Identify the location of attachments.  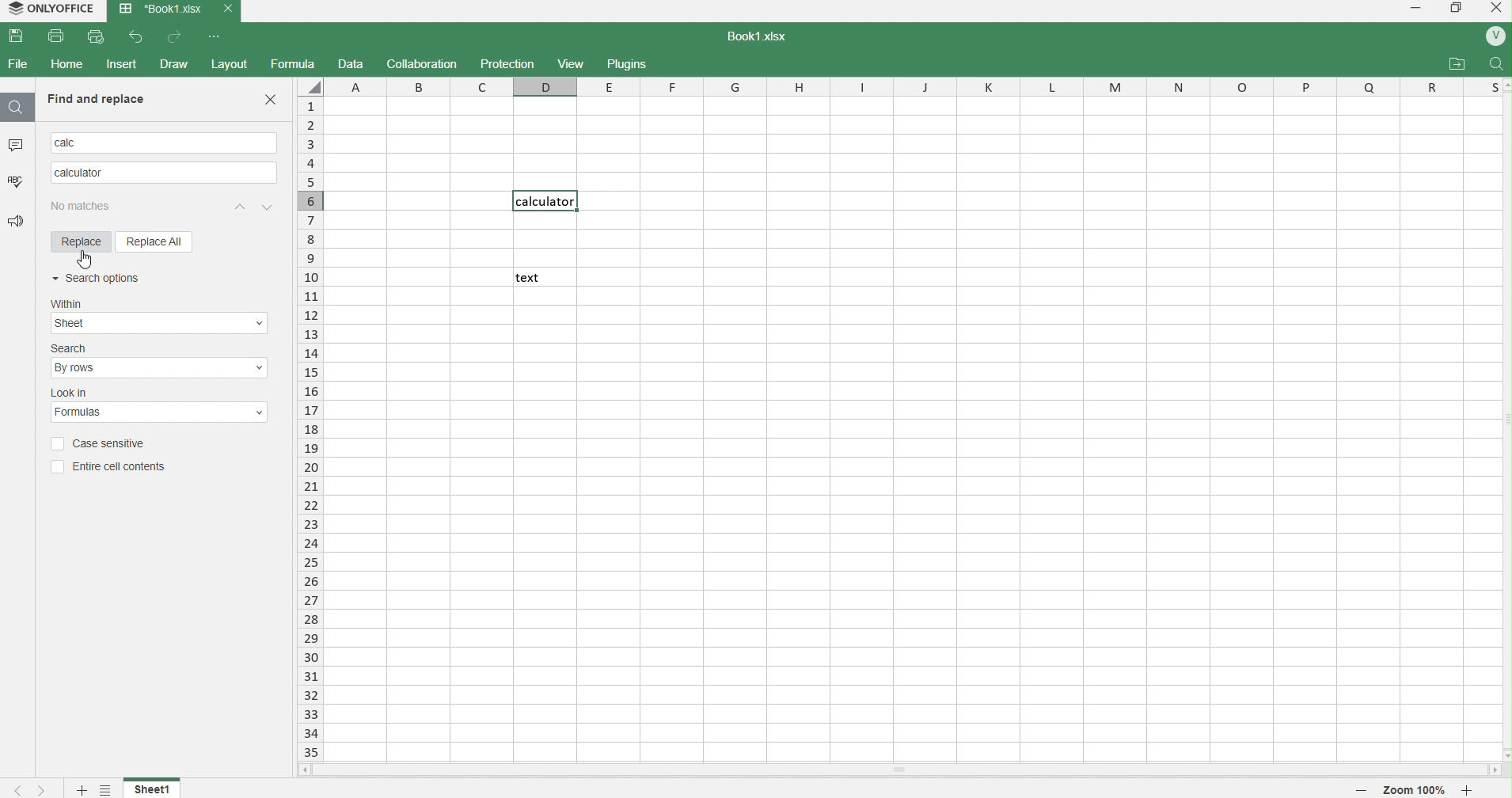
(1460, 62).